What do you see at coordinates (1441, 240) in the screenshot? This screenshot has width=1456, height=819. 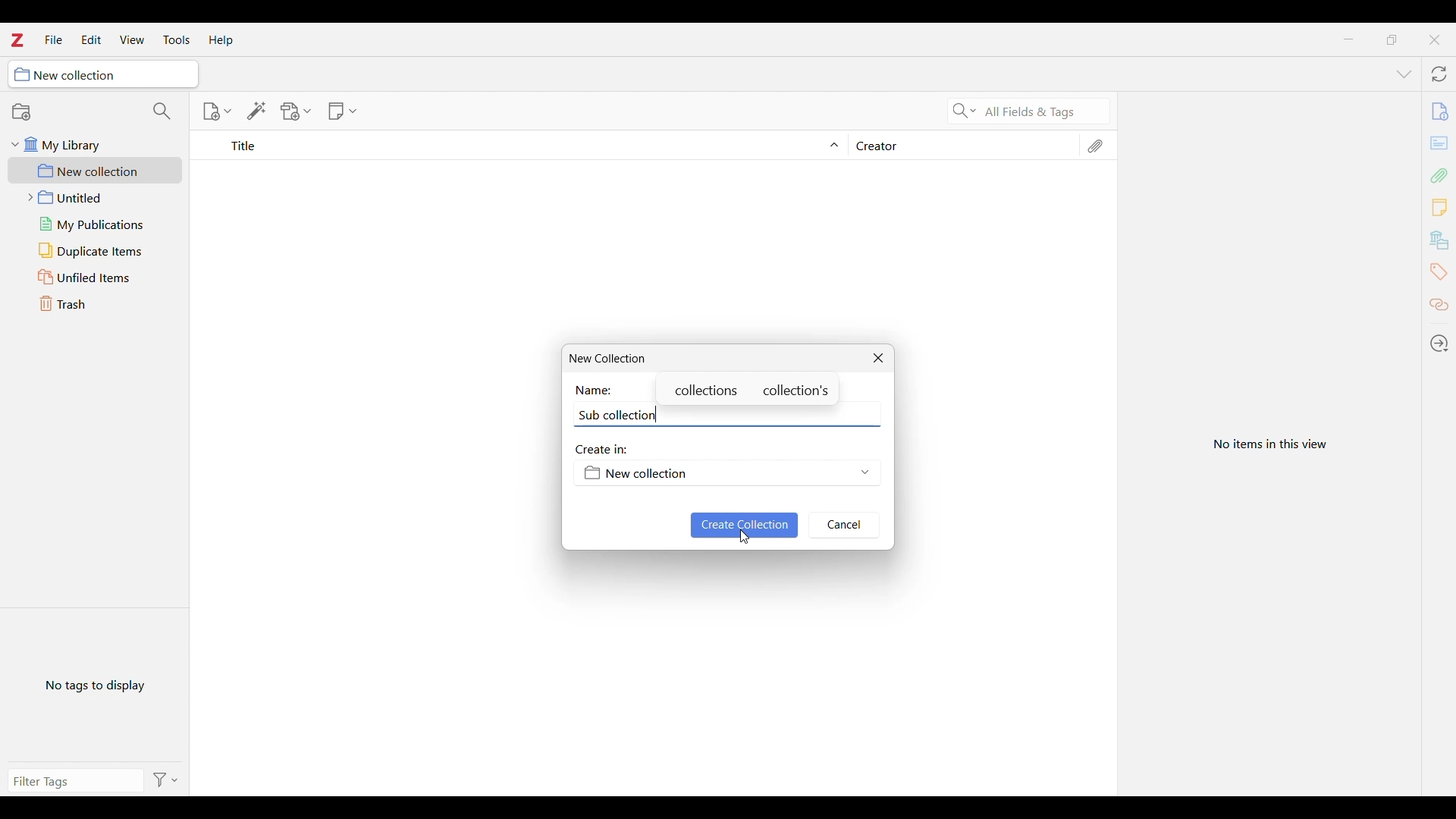 I see `banks` at bounding box center [1441, 240].